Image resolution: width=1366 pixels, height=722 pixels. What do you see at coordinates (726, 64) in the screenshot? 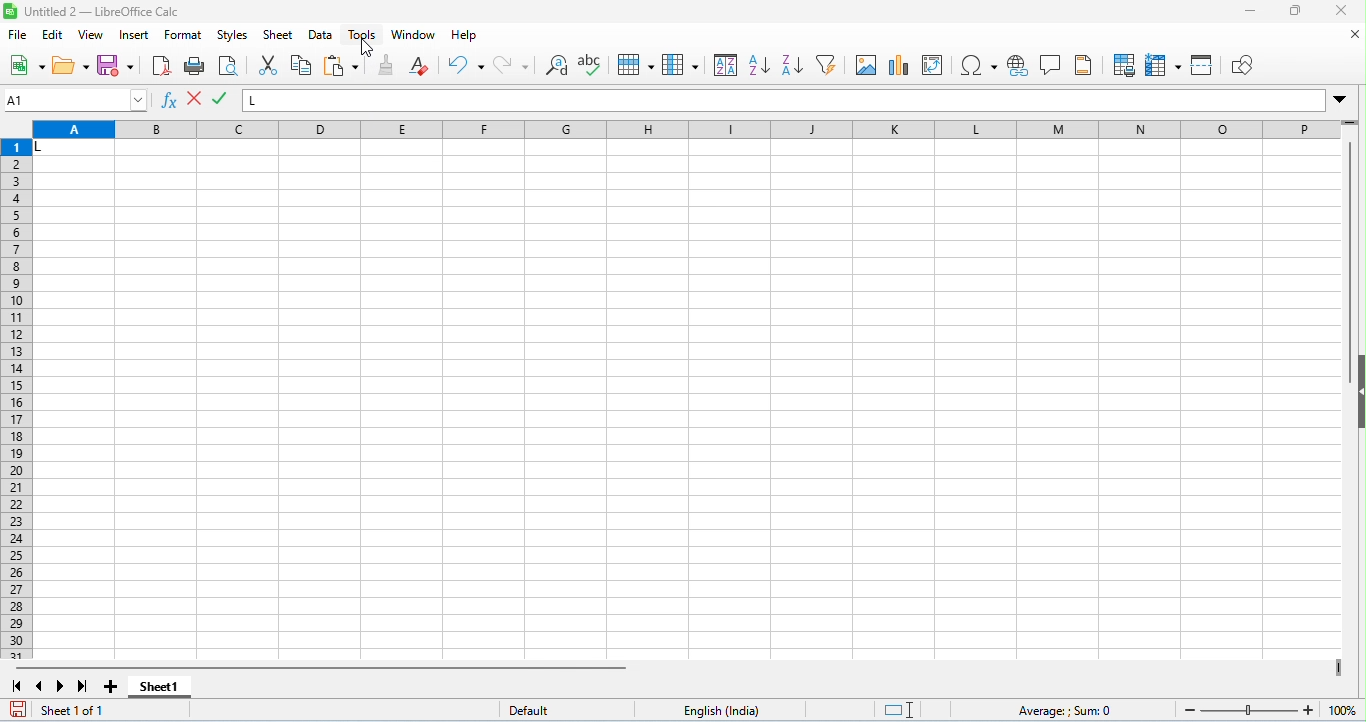
I see `sort` at bounding box center [726, 64].